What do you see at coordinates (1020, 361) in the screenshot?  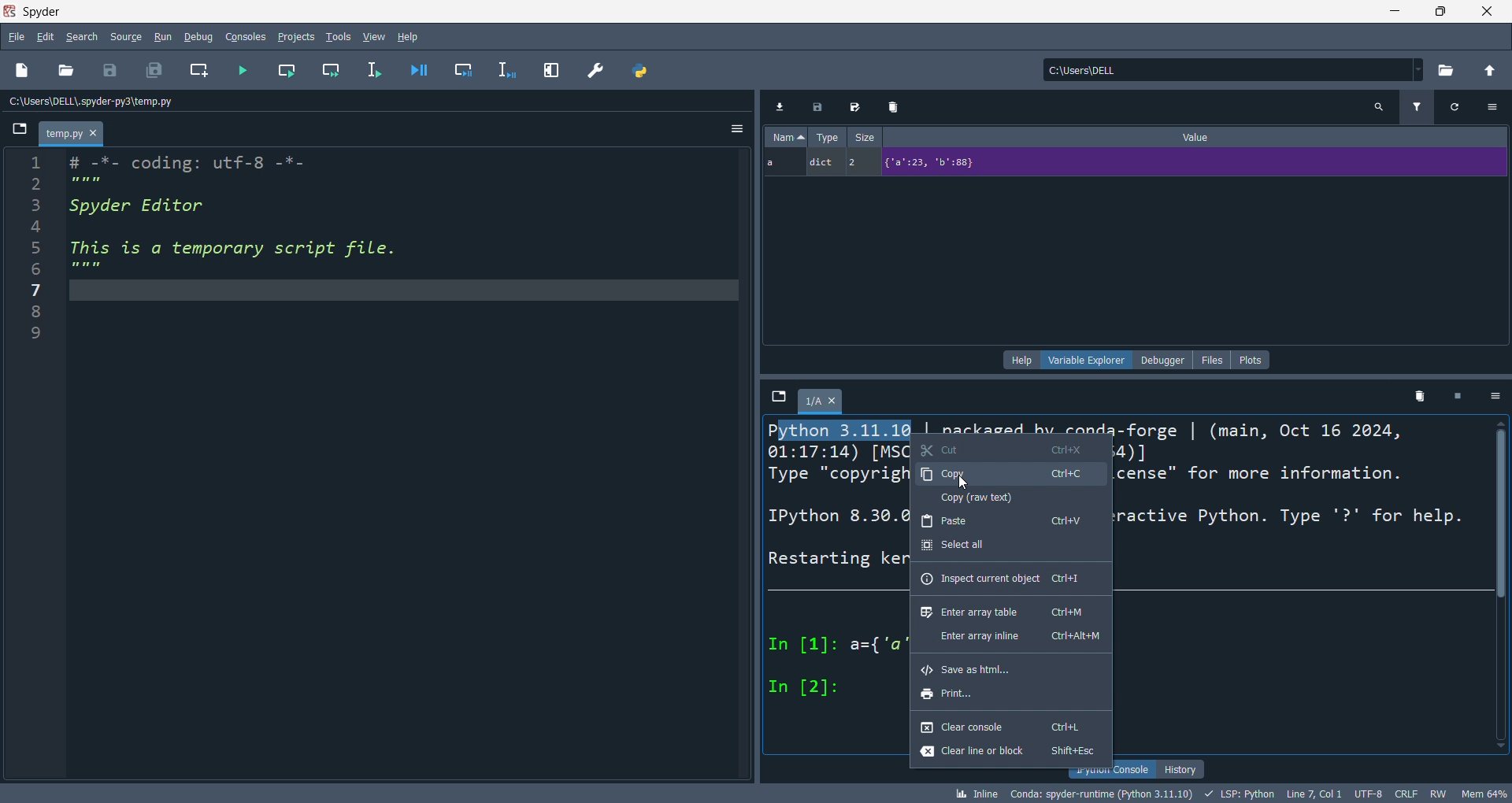 I see `help` at bounding box center [1020, 361].